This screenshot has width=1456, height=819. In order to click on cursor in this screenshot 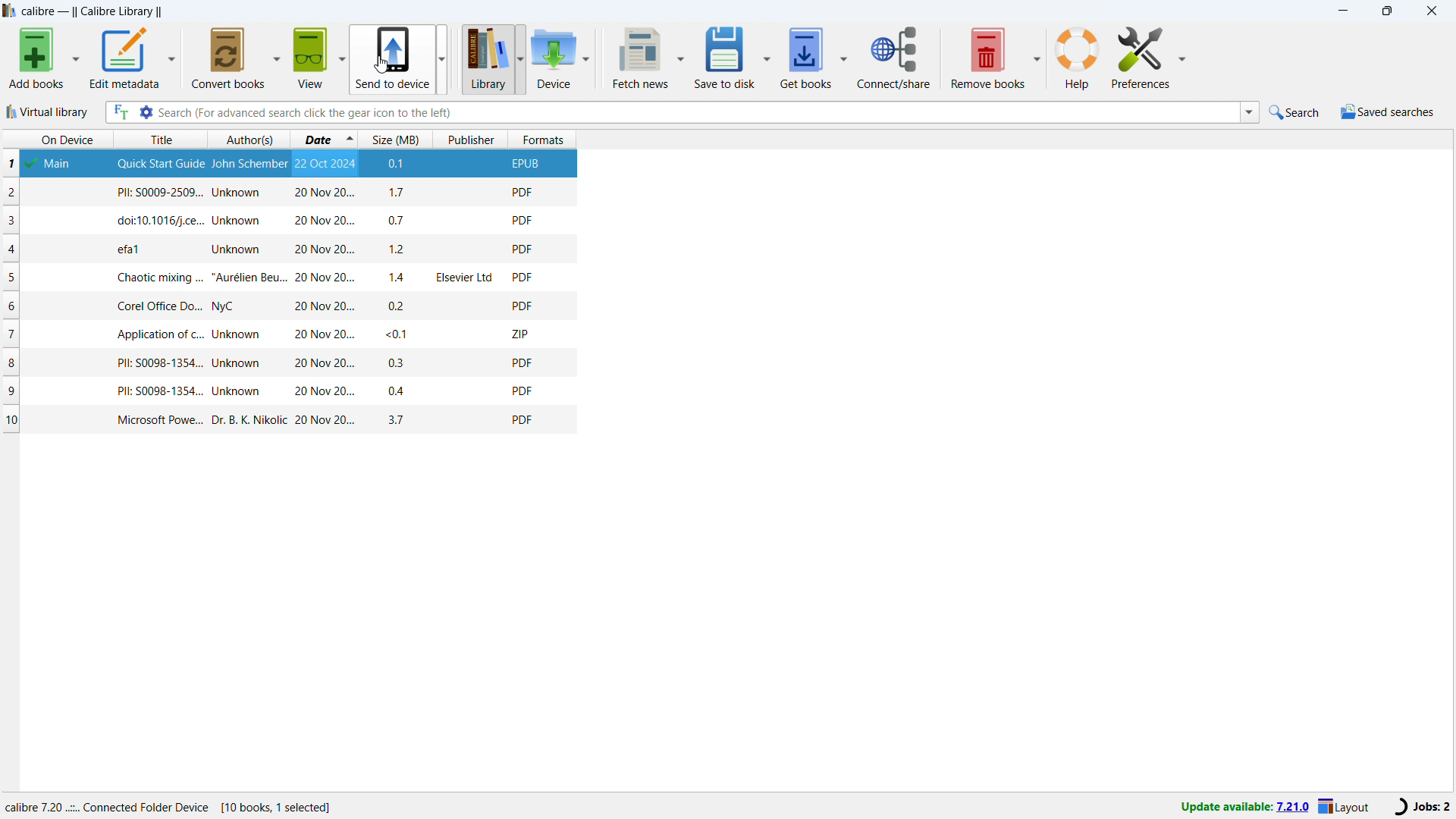, I will do `click(381, 64)`.